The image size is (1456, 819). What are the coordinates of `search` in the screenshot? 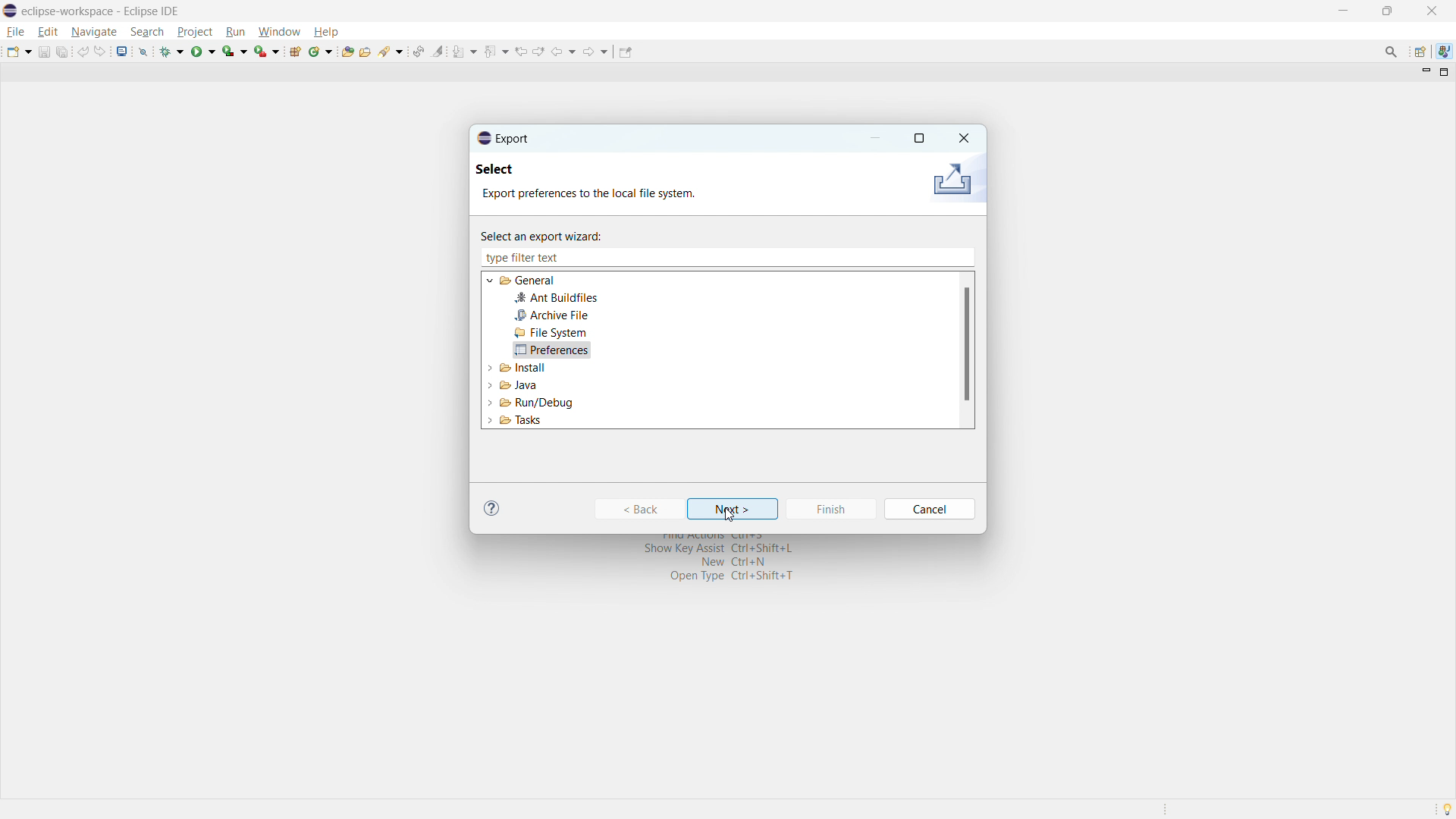 It's located at (391, 50).